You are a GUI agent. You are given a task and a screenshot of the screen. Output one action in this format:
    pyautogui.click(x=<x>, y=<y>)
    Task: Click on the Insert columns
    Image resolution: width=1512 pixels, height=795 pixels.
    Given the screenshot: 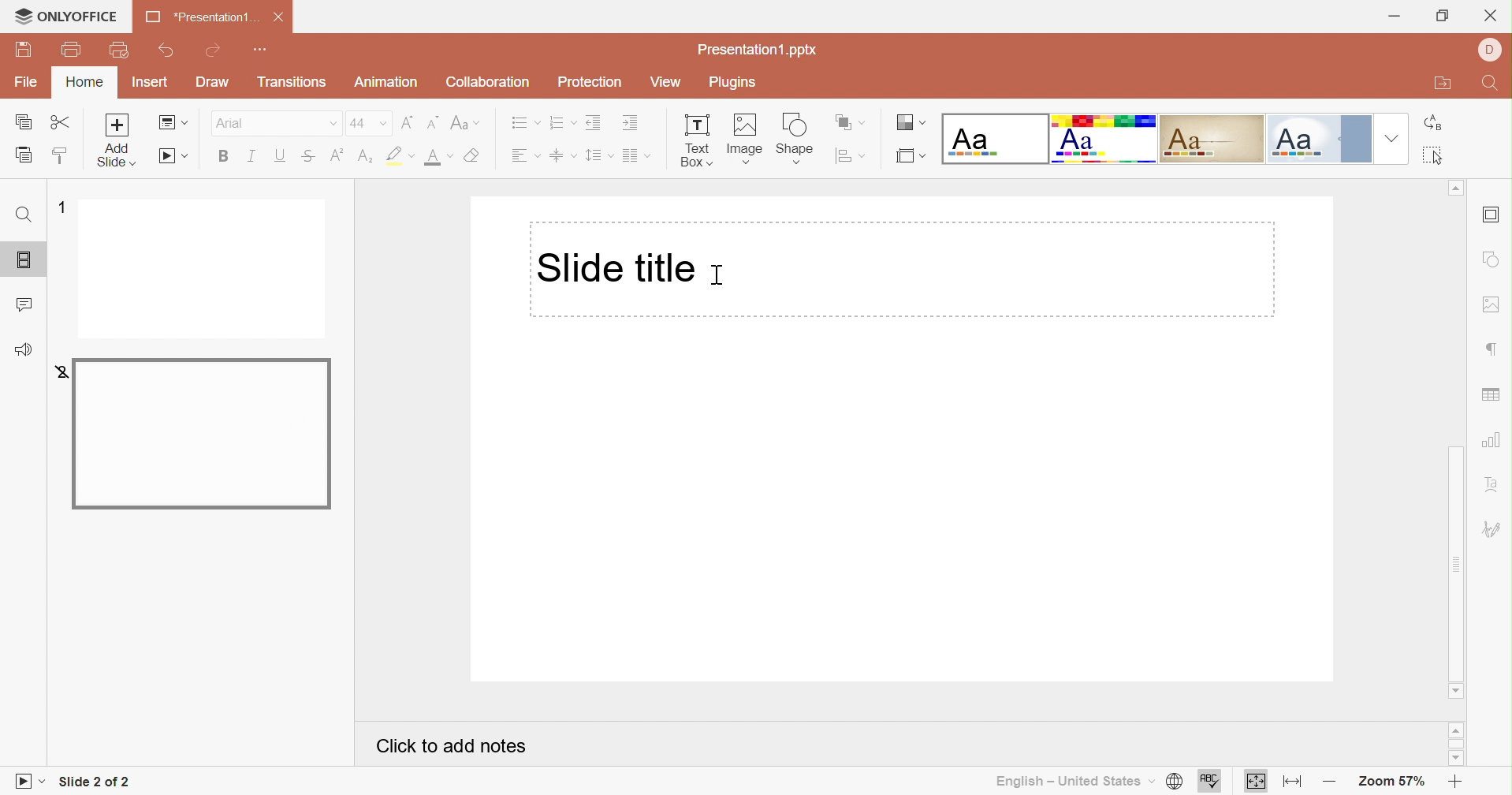 What is the action you would take?
    pyautogui.click(x=637, y=156)
    